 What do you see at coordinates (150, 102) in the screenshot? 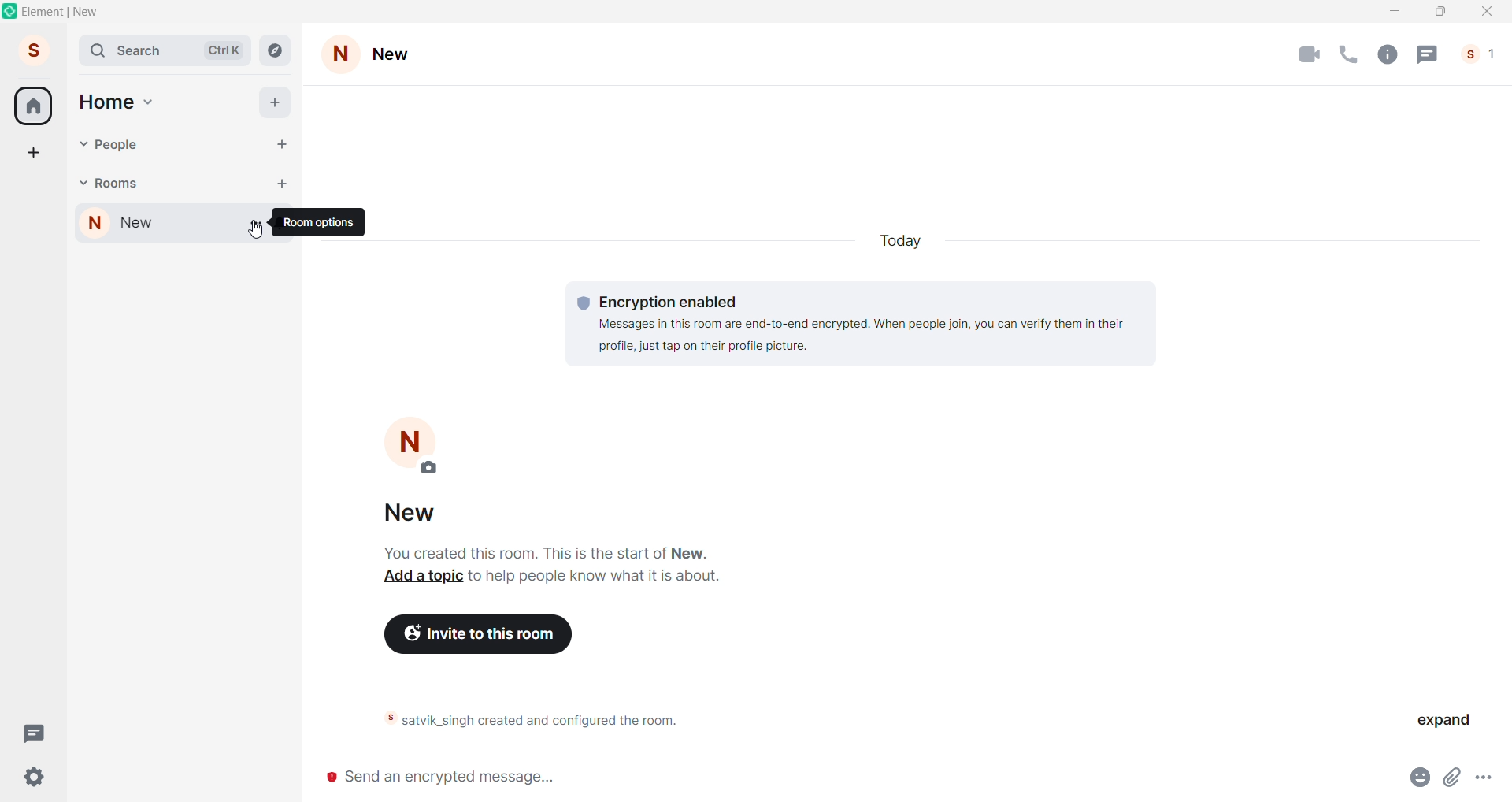
I see `Home Drop Down` at bounding box center [150, 102].